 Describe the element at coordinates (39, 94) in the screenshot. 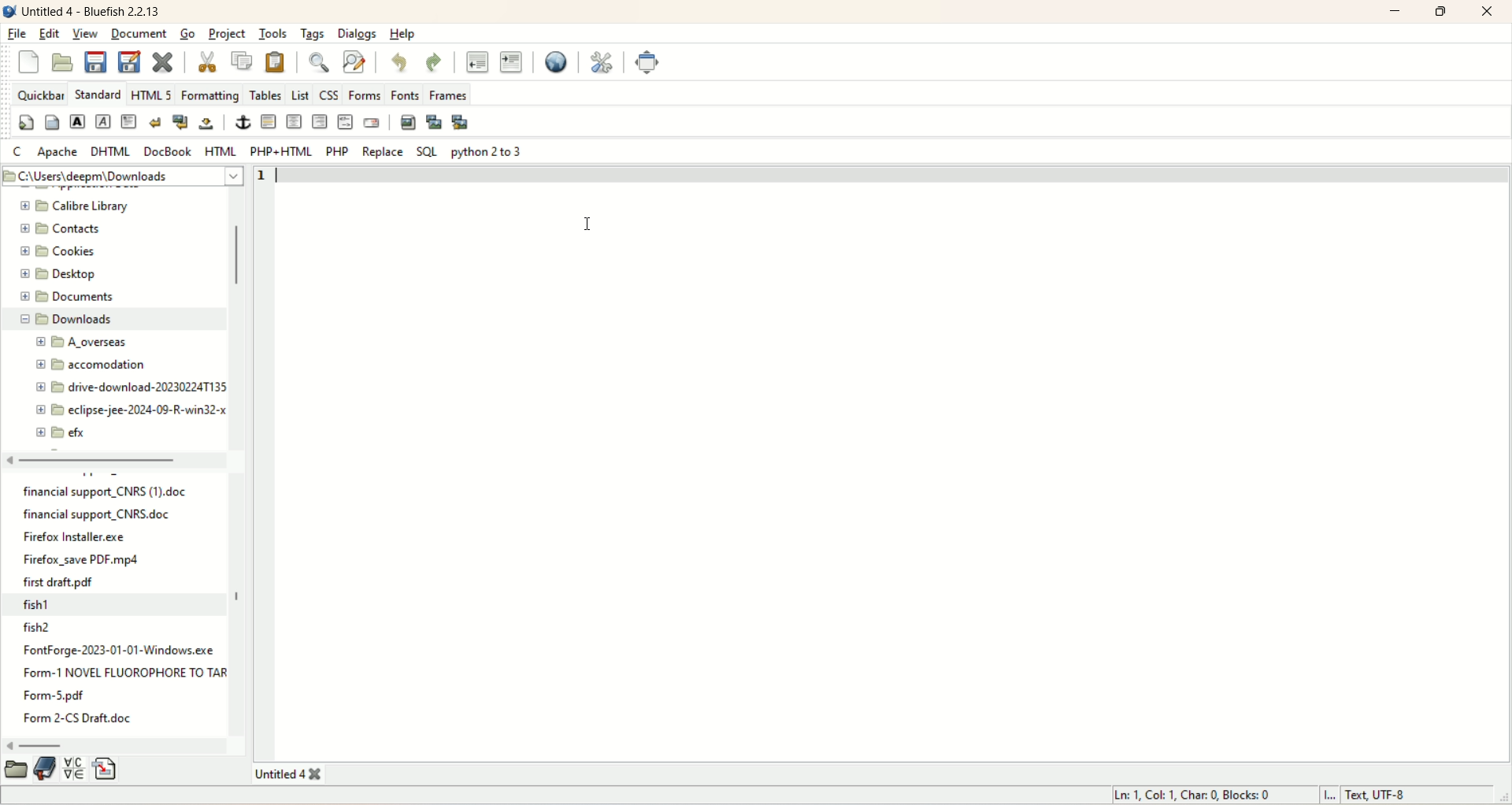

I see `quickbar` at that location.